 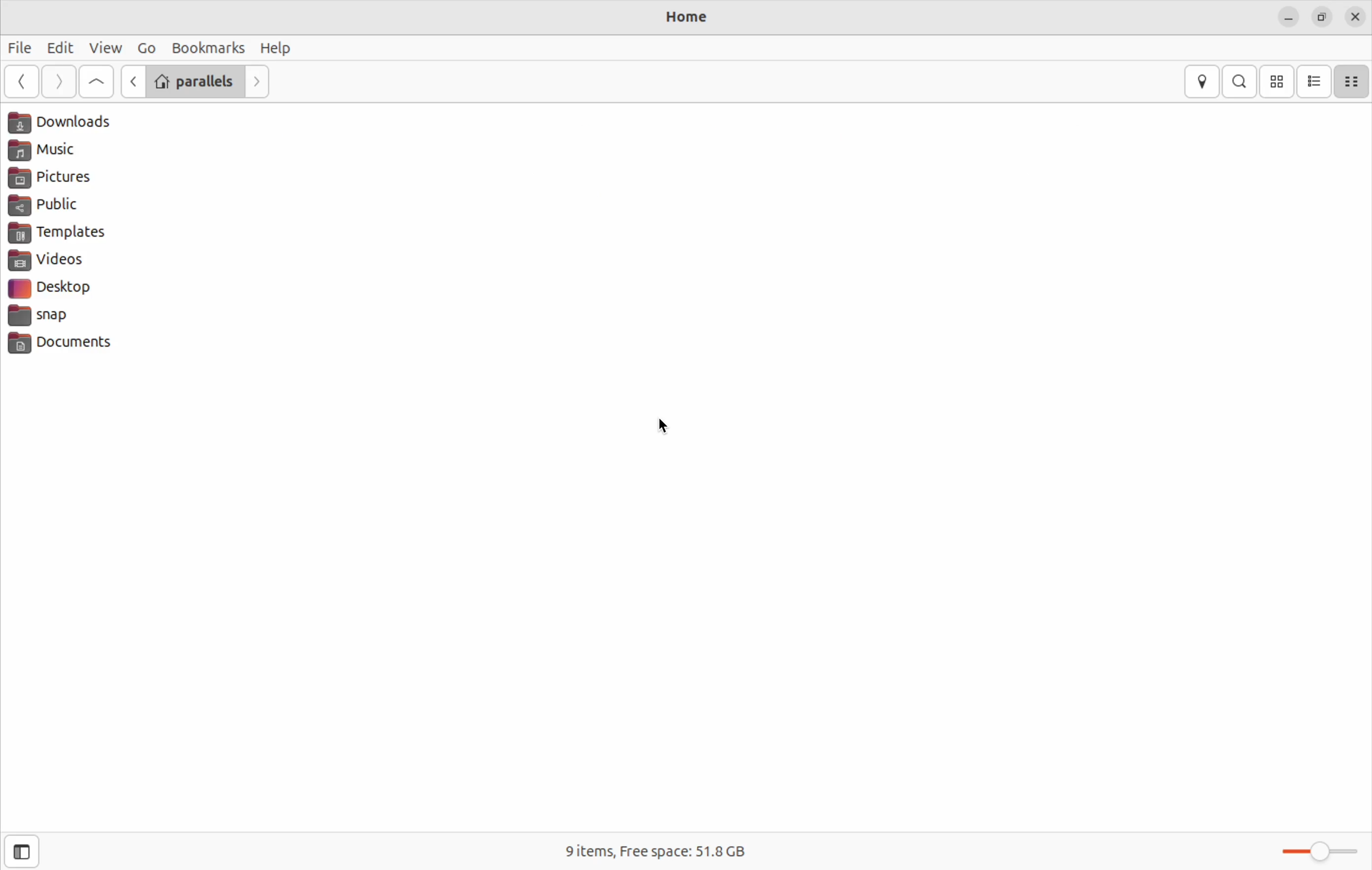 What do you see at coordinates (1322, 18) in the screenshot?
I see `resize` at bounding box center [1322, 18].